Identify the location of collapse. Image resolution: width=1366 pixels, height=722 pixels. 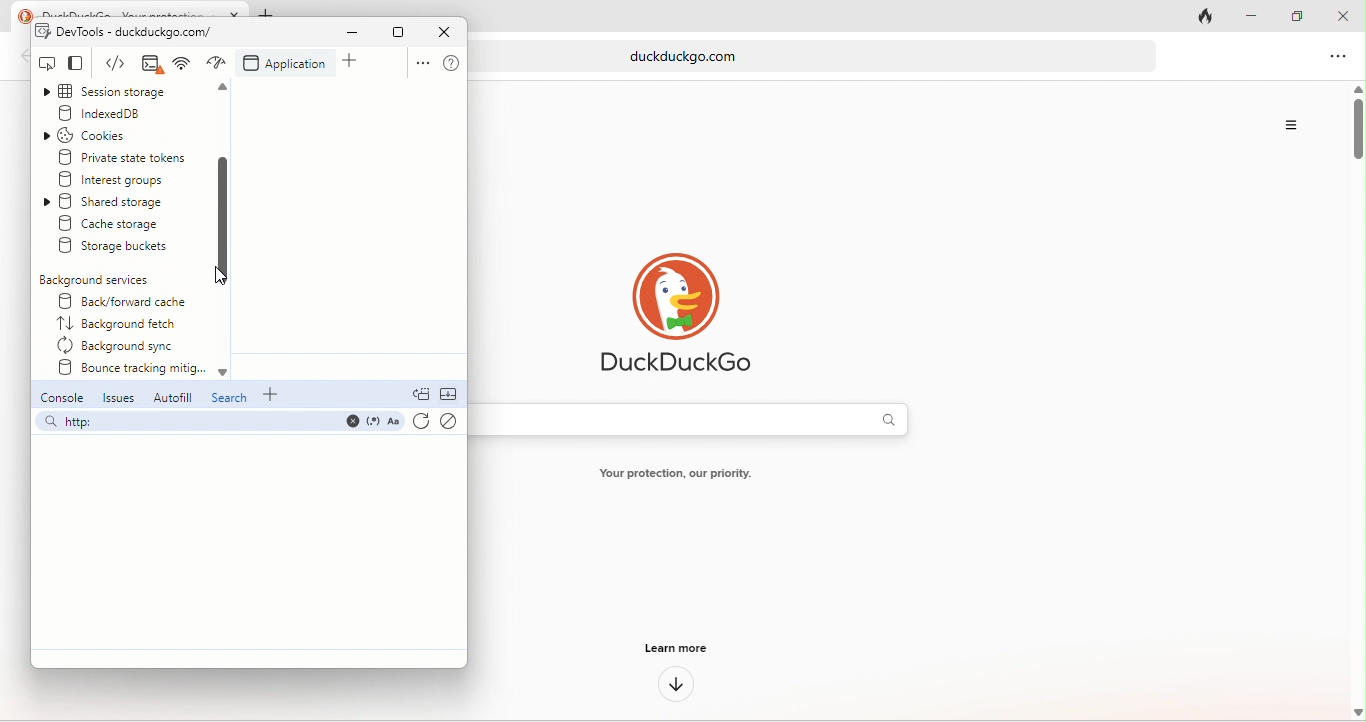
(452, 396).